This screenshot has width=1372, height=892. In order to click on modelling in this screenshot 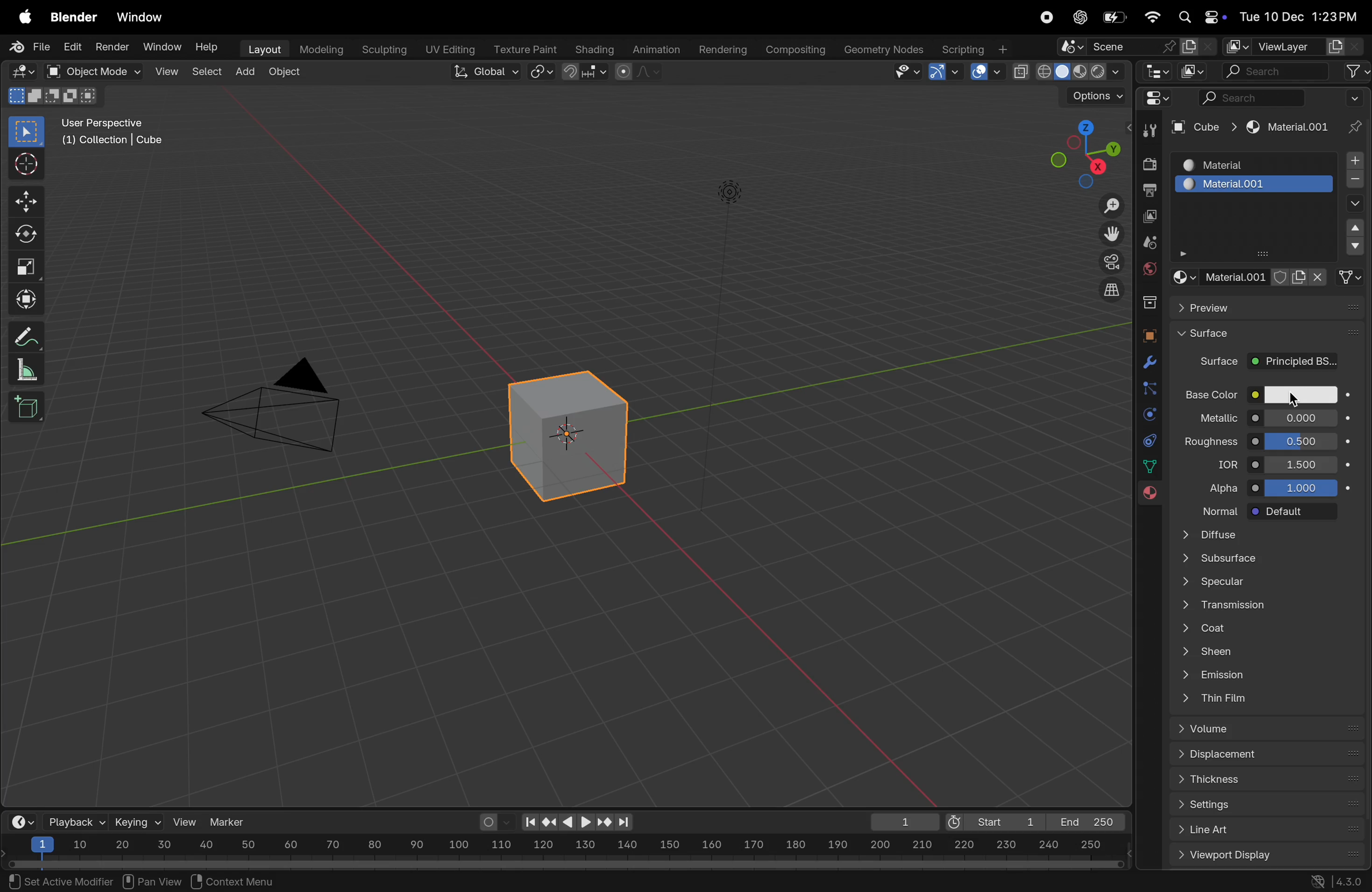, I will do `click(320, 48)`.